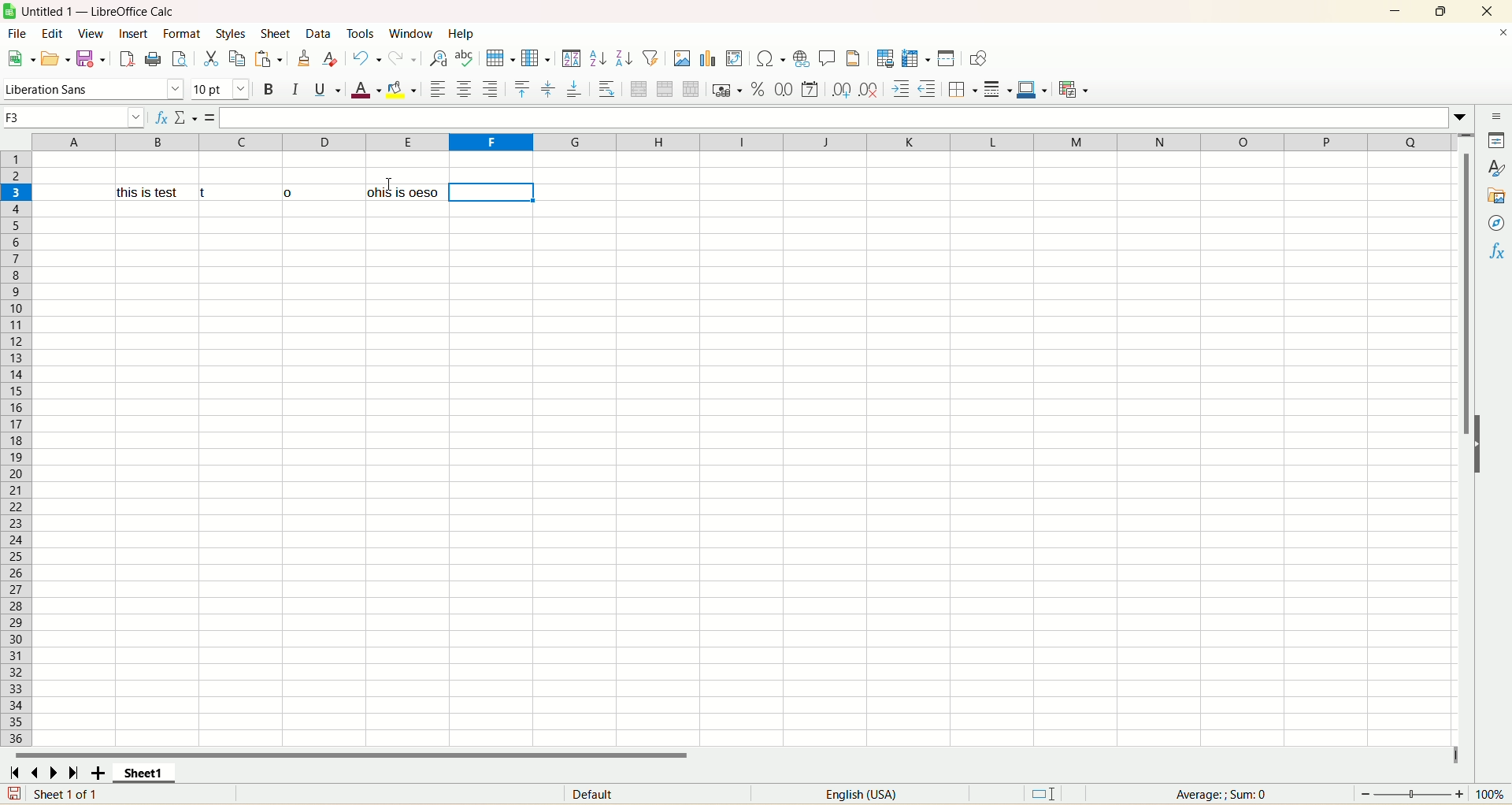  I want to click on close, so click(1495, 35).